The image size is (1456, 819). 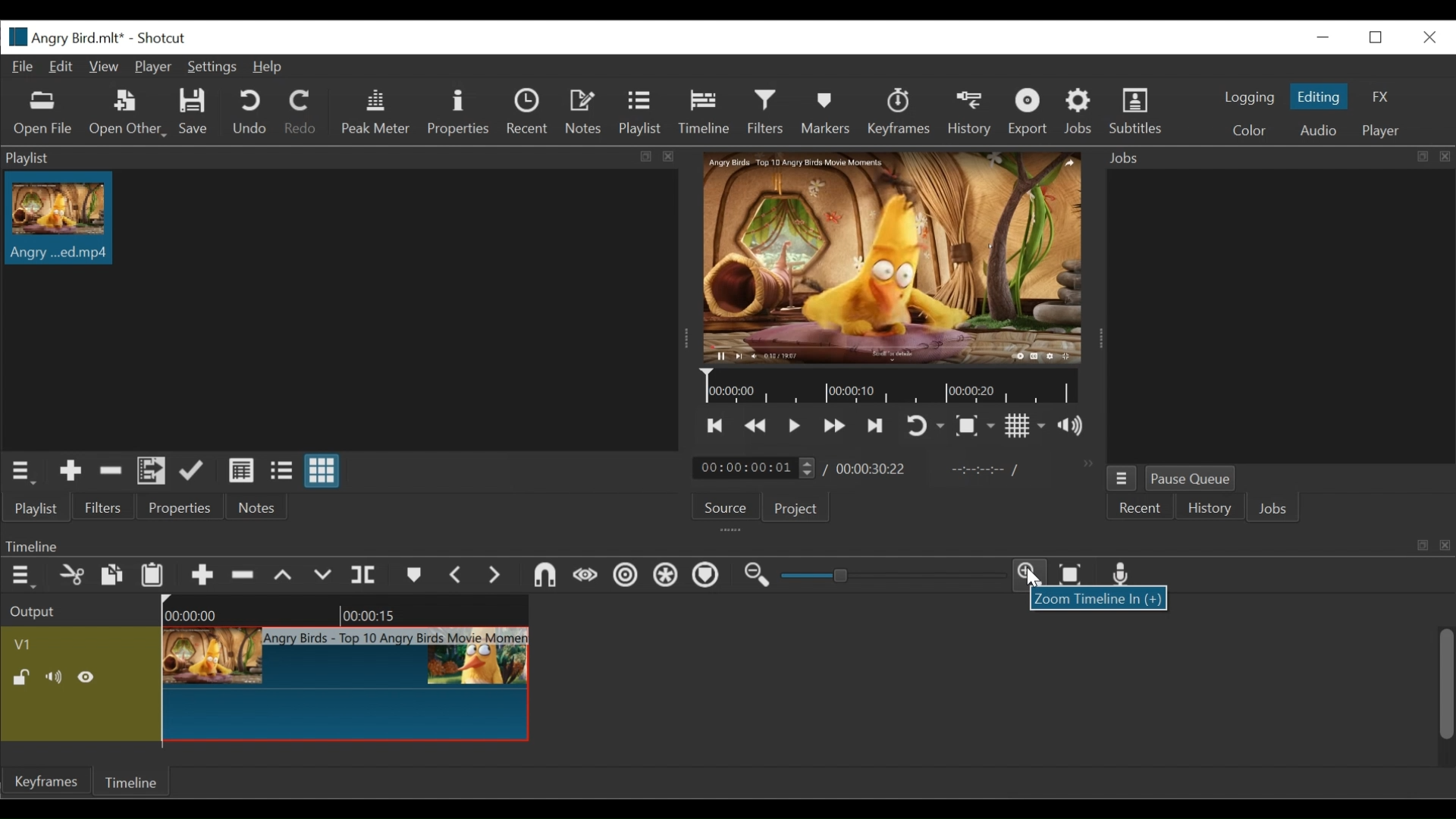 What do you see at coordinates (1073, 575) in the screenshot?
I see `Zoom timeline to fit` at bounding box center [1073, 575].